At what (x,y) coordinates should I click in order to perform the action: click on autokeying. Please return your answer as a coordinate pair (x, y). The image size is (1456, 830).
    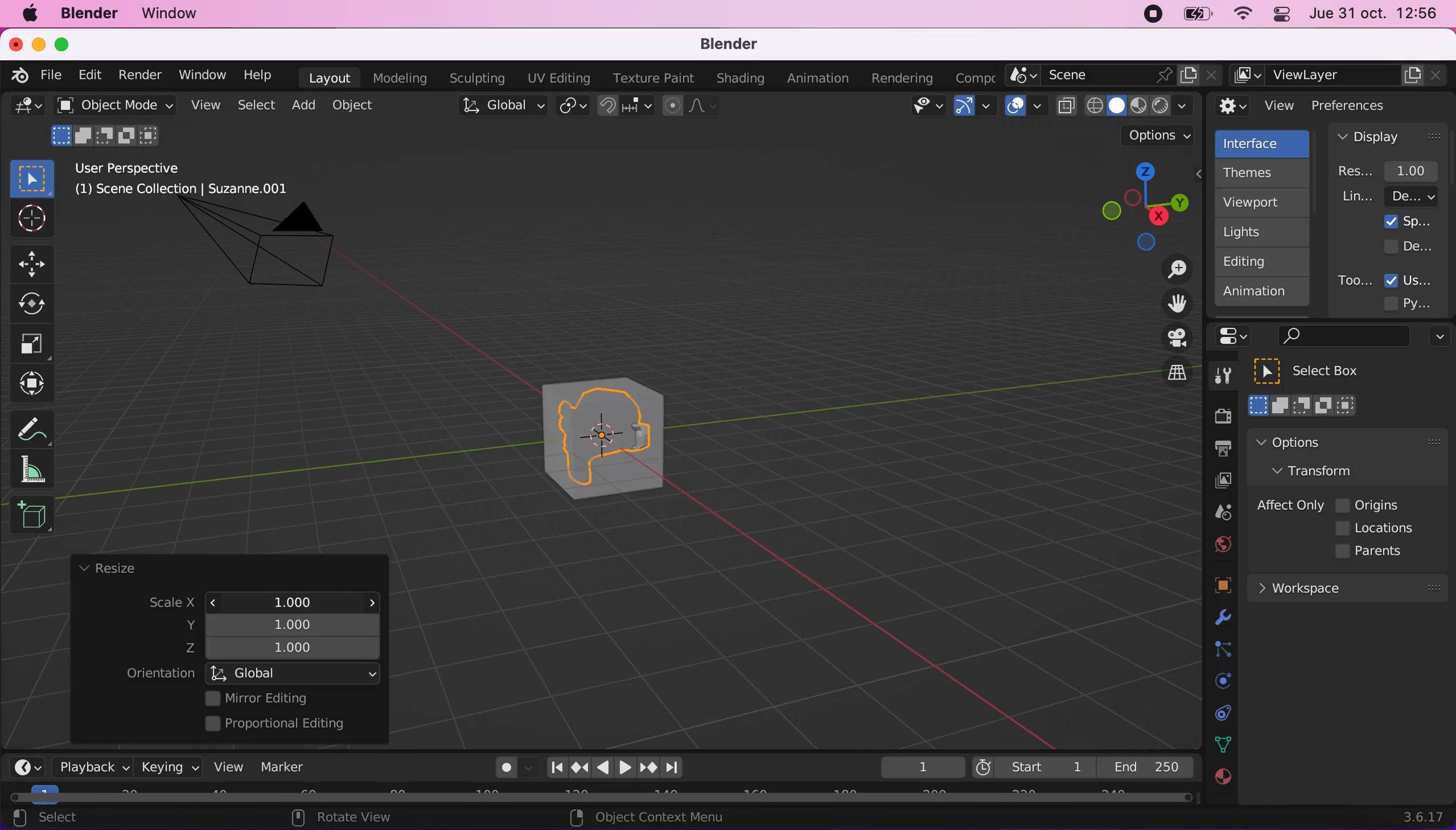
    Looking at the image, I should click on (507, 771).